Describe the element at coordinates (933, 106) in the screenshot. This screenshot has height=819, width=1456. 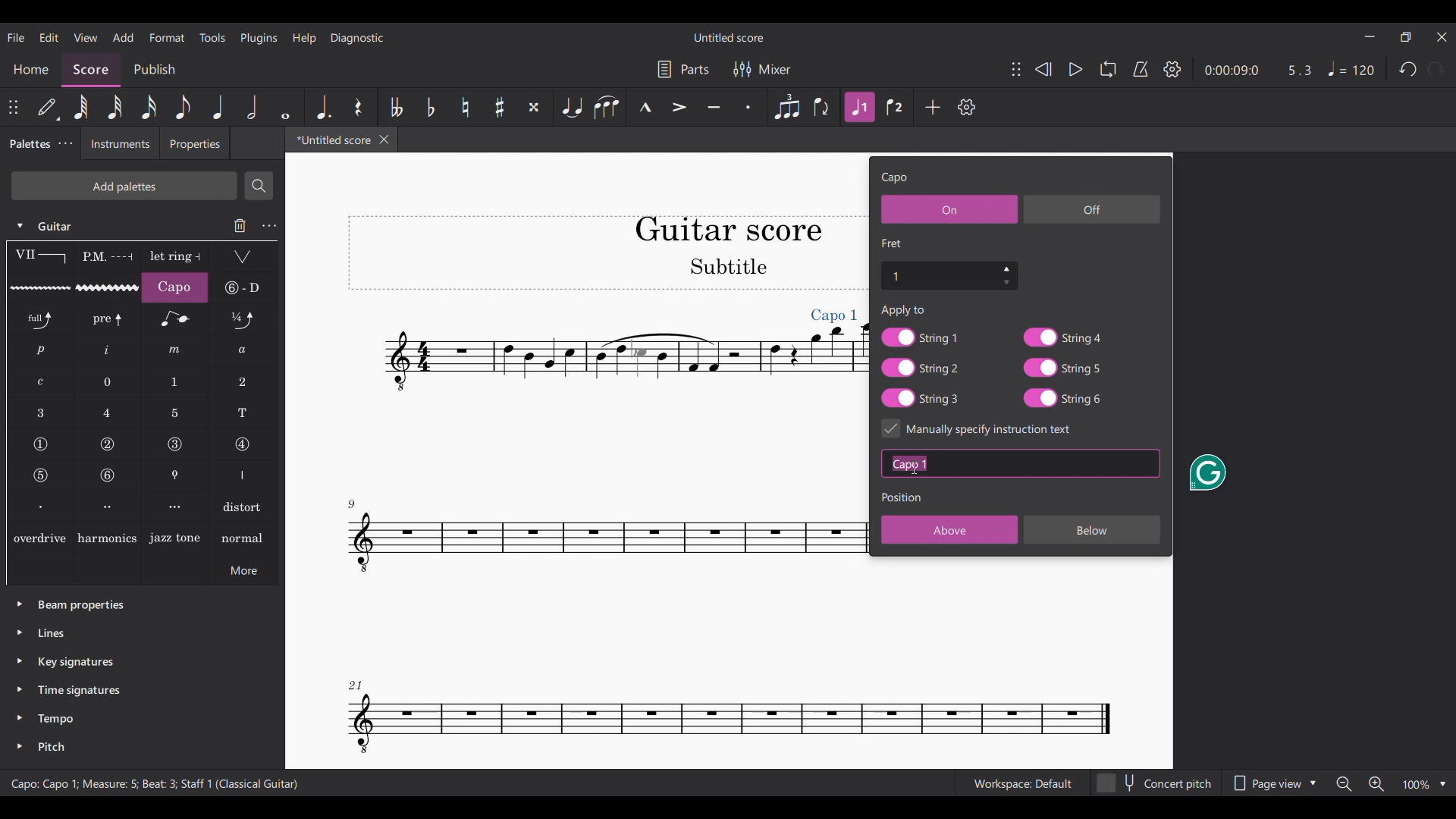
I see `Add` at that location.